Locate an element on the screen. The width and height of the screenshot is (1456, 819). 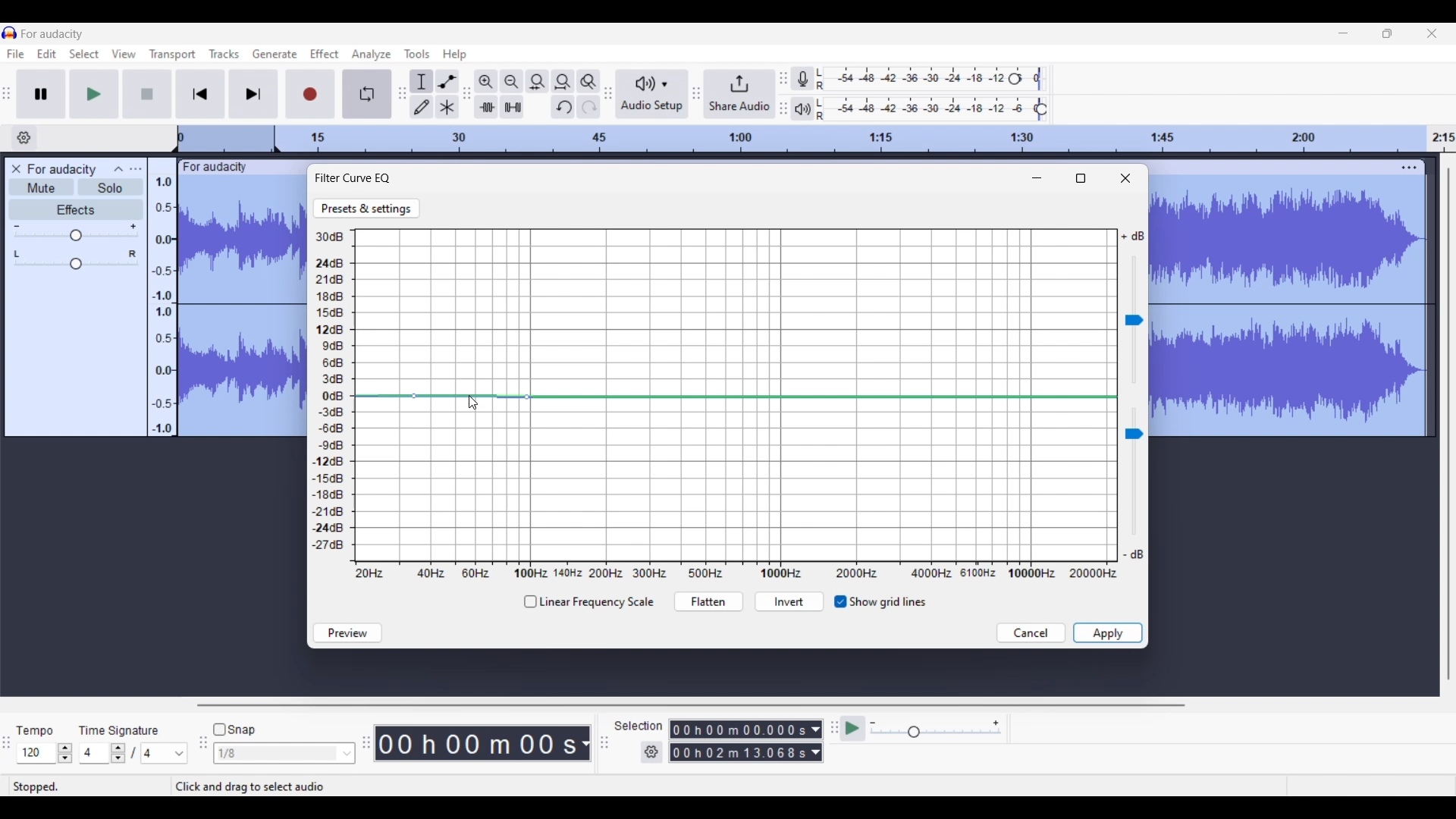
Type in time signature is located at coordinates (96, 754).